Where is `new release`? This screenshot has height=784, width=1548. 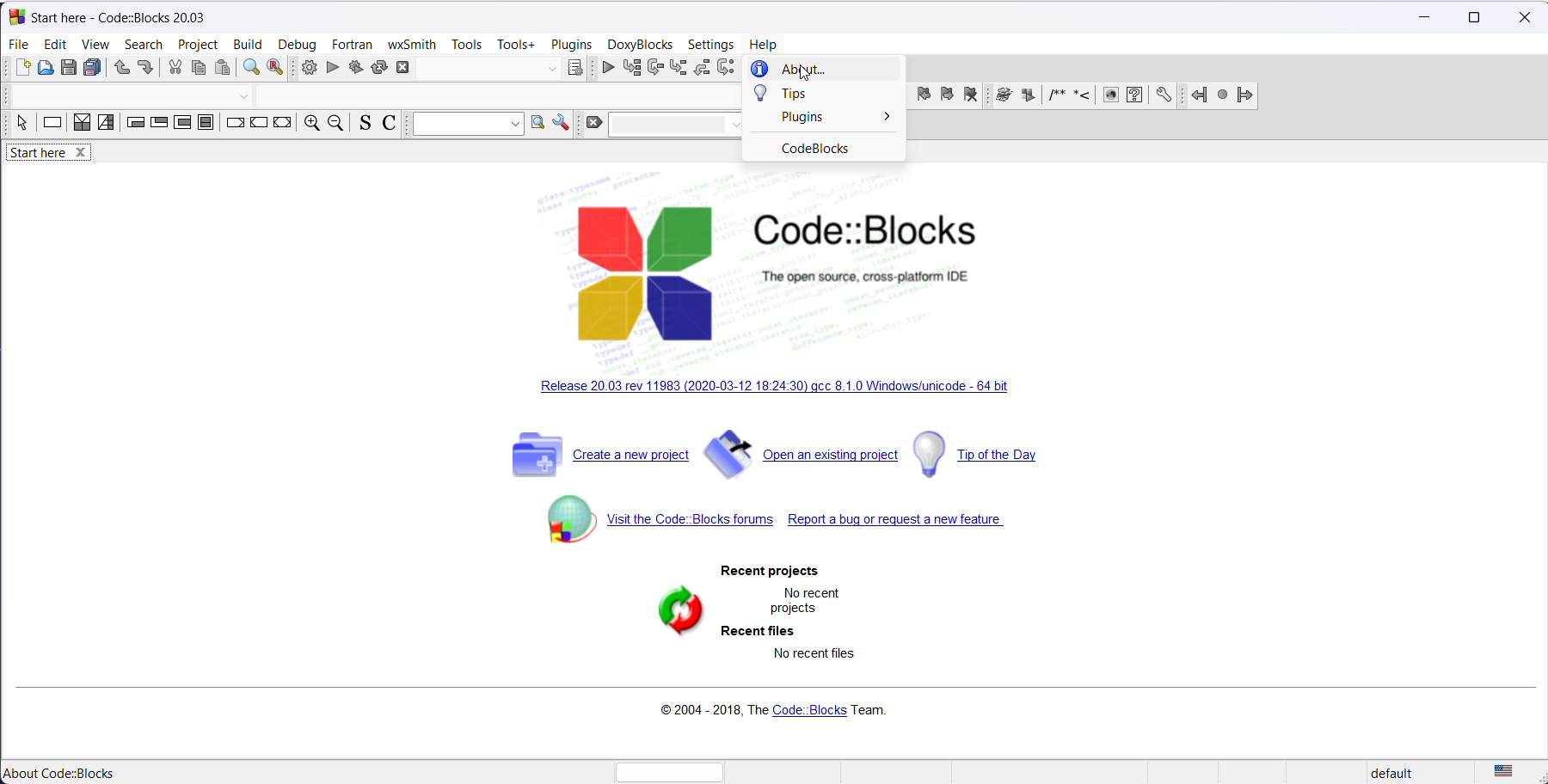 new release is located at coordinates (777, 389).